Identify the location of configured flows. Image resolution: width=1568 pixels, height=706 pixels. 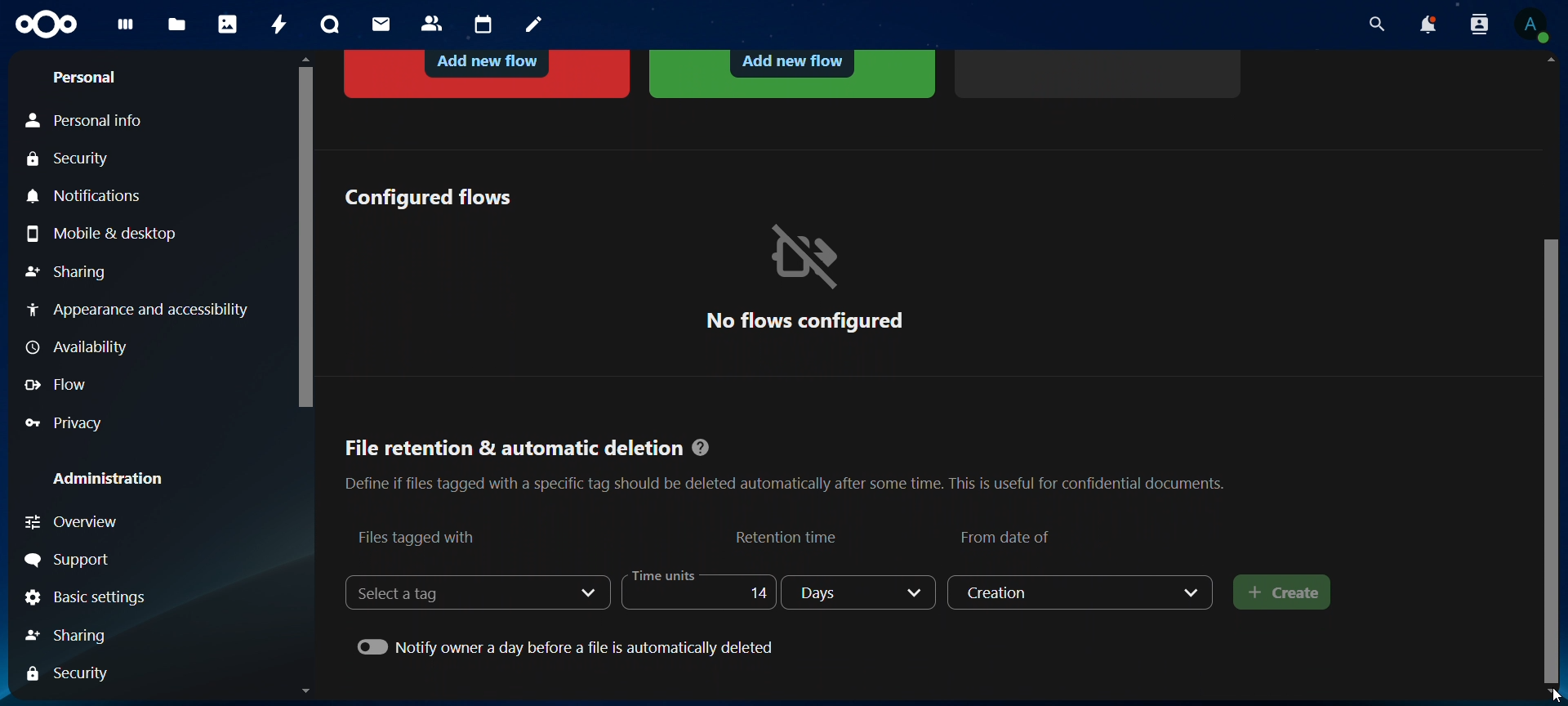
(427, 197).